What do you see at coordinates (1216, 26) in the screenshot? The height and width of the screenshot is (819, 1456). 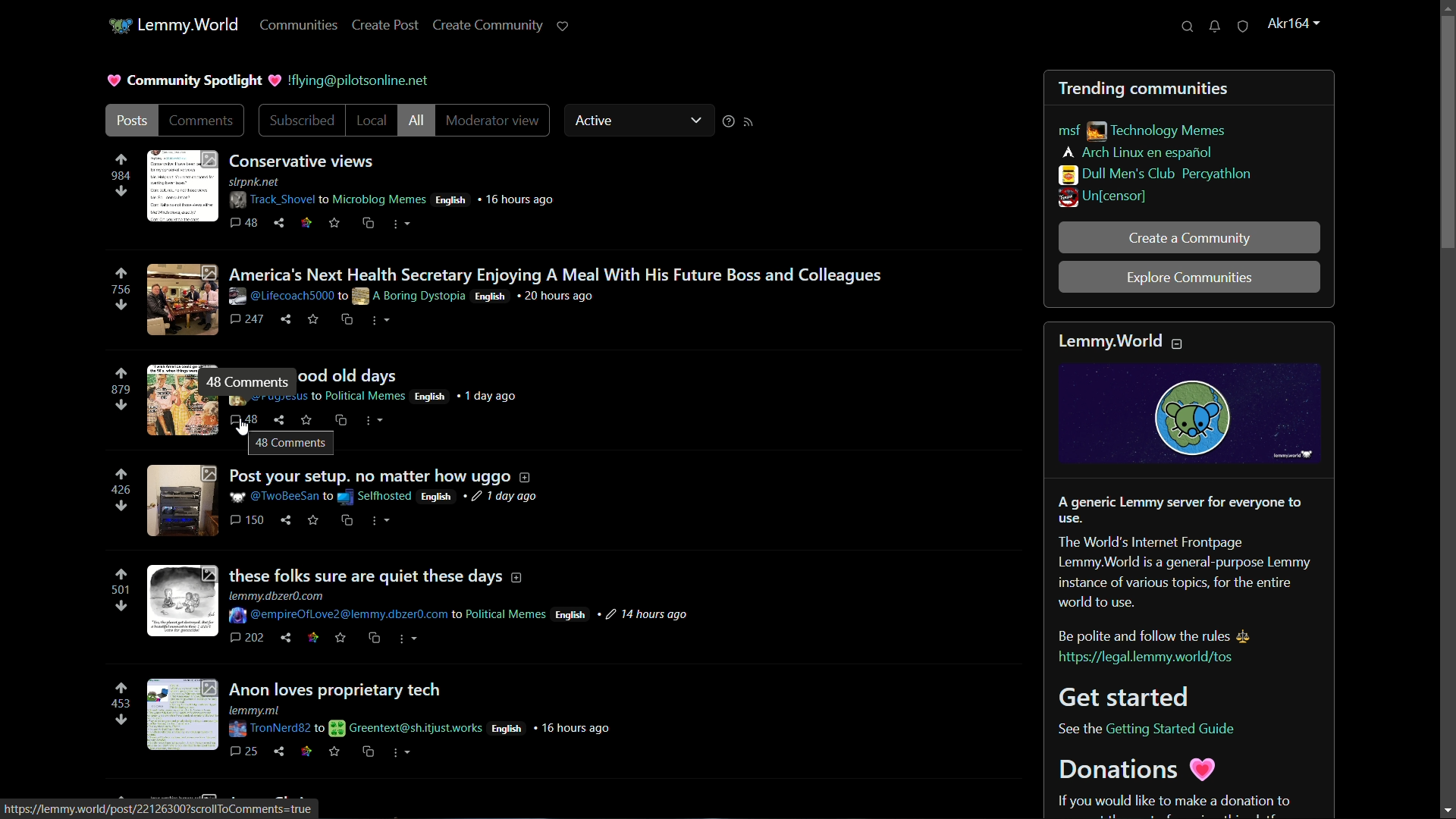 I see `unread notifications` at bounding box center [1216, 26].